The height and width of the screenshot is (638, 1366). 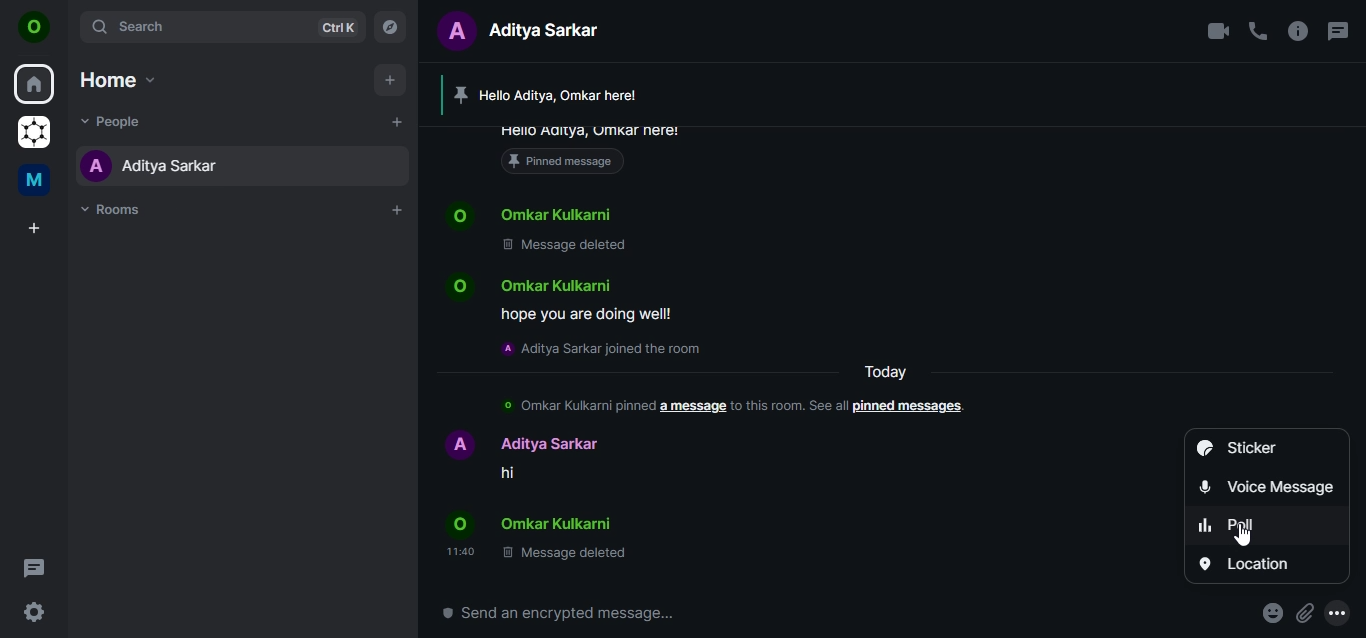 What do you see at coordinates (116, 79) in the screenshot?
I see `home` at bounding box center [116, 79].